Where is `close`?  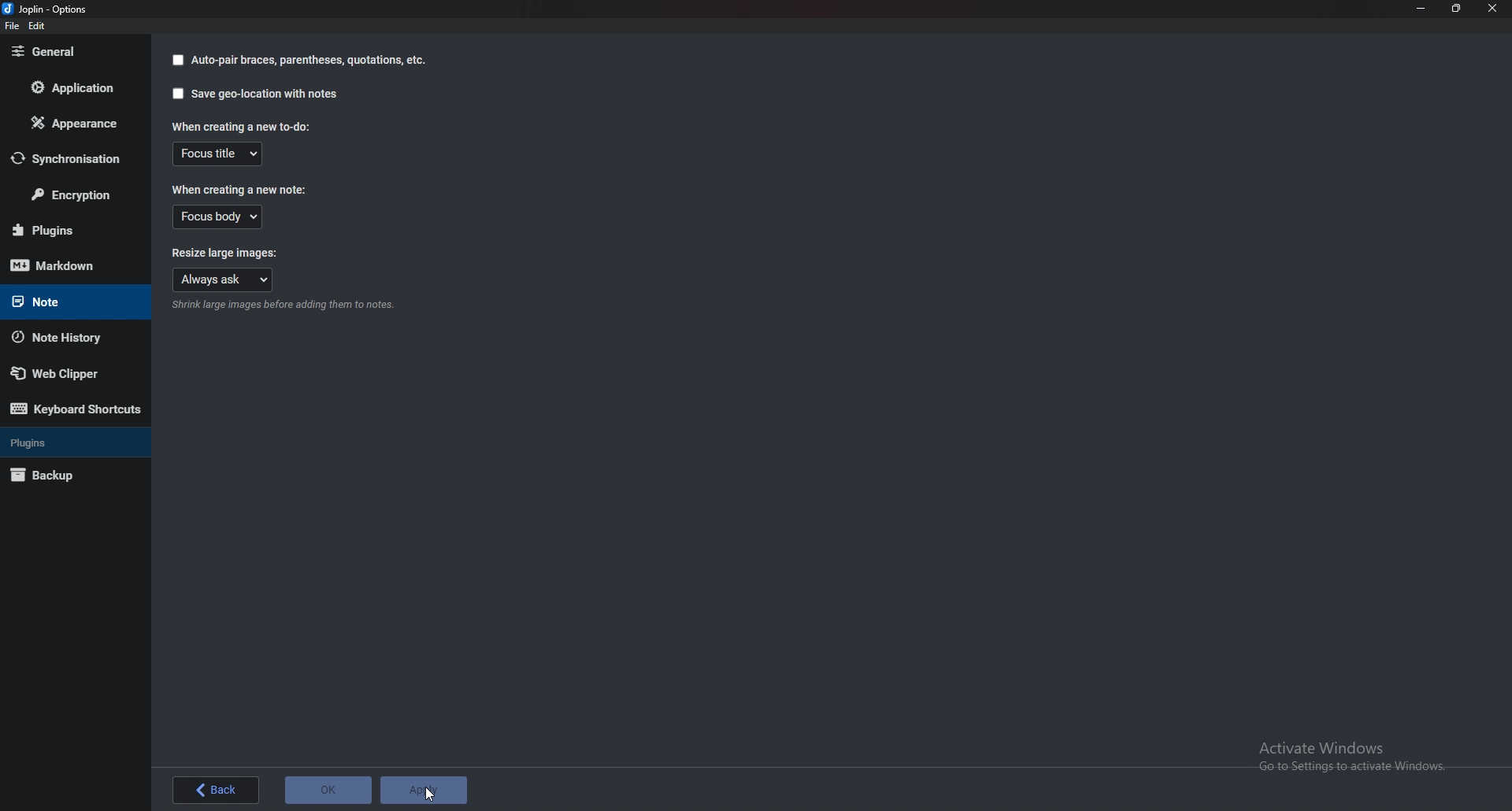 close is located at coordinates (1495, 10).